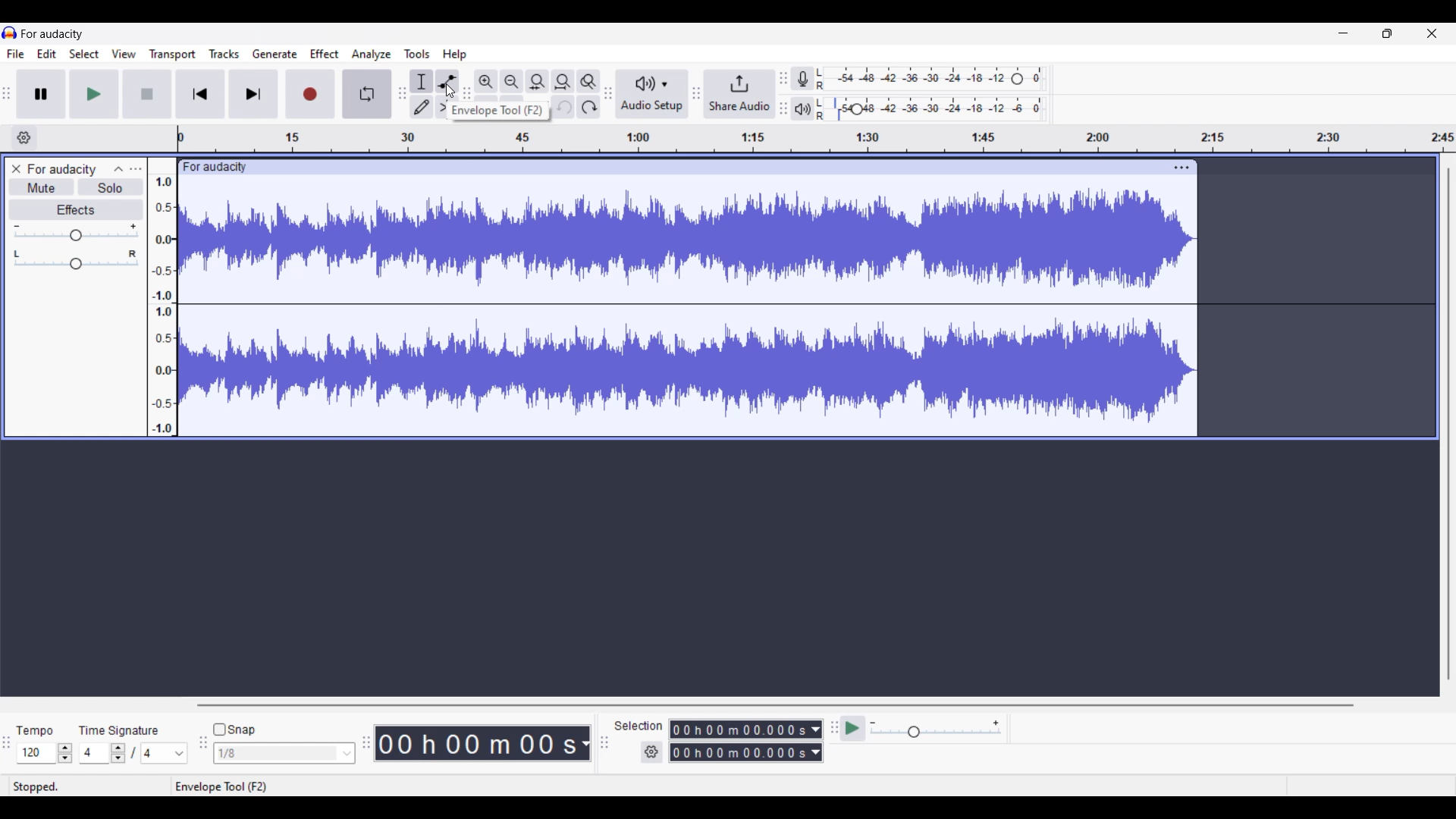 The image size is (1456, 819). I want to click on Record meter, so click(802, 78).